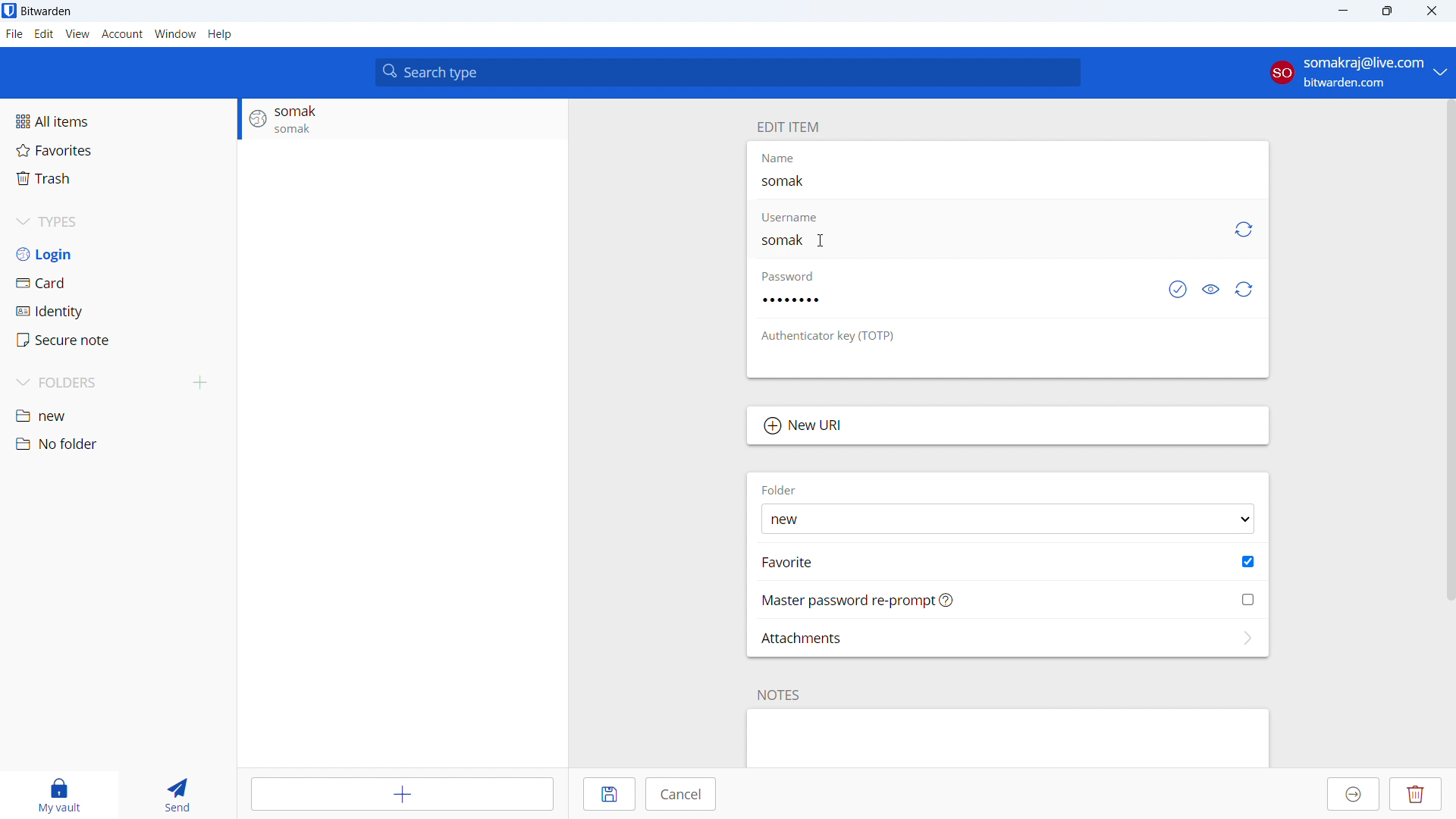 The width and height of the screenshot is (1456, 819). I want to click on search type, so click(728, 72).